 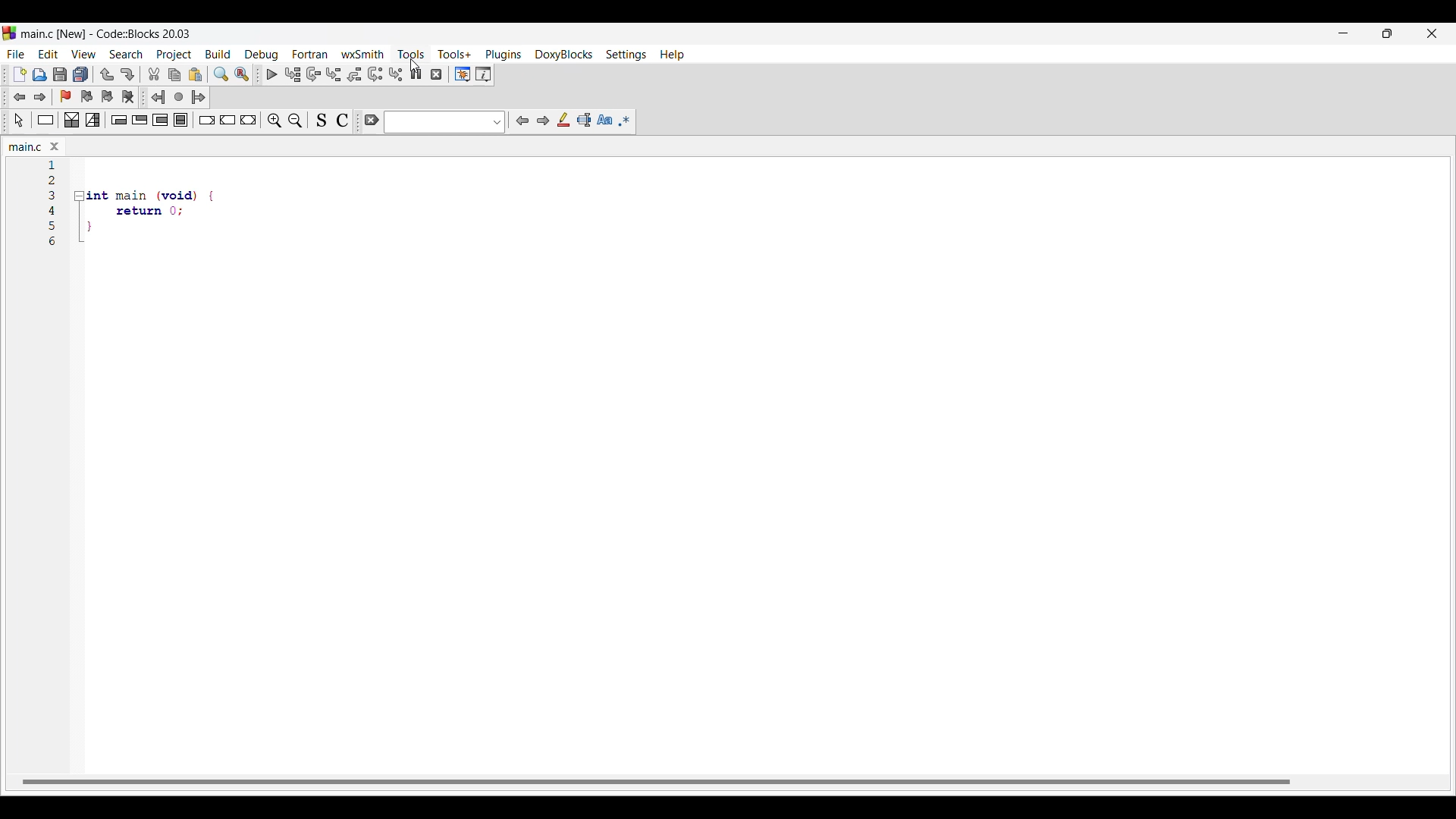 I want to click on View menu, so click(x=83, y=55).